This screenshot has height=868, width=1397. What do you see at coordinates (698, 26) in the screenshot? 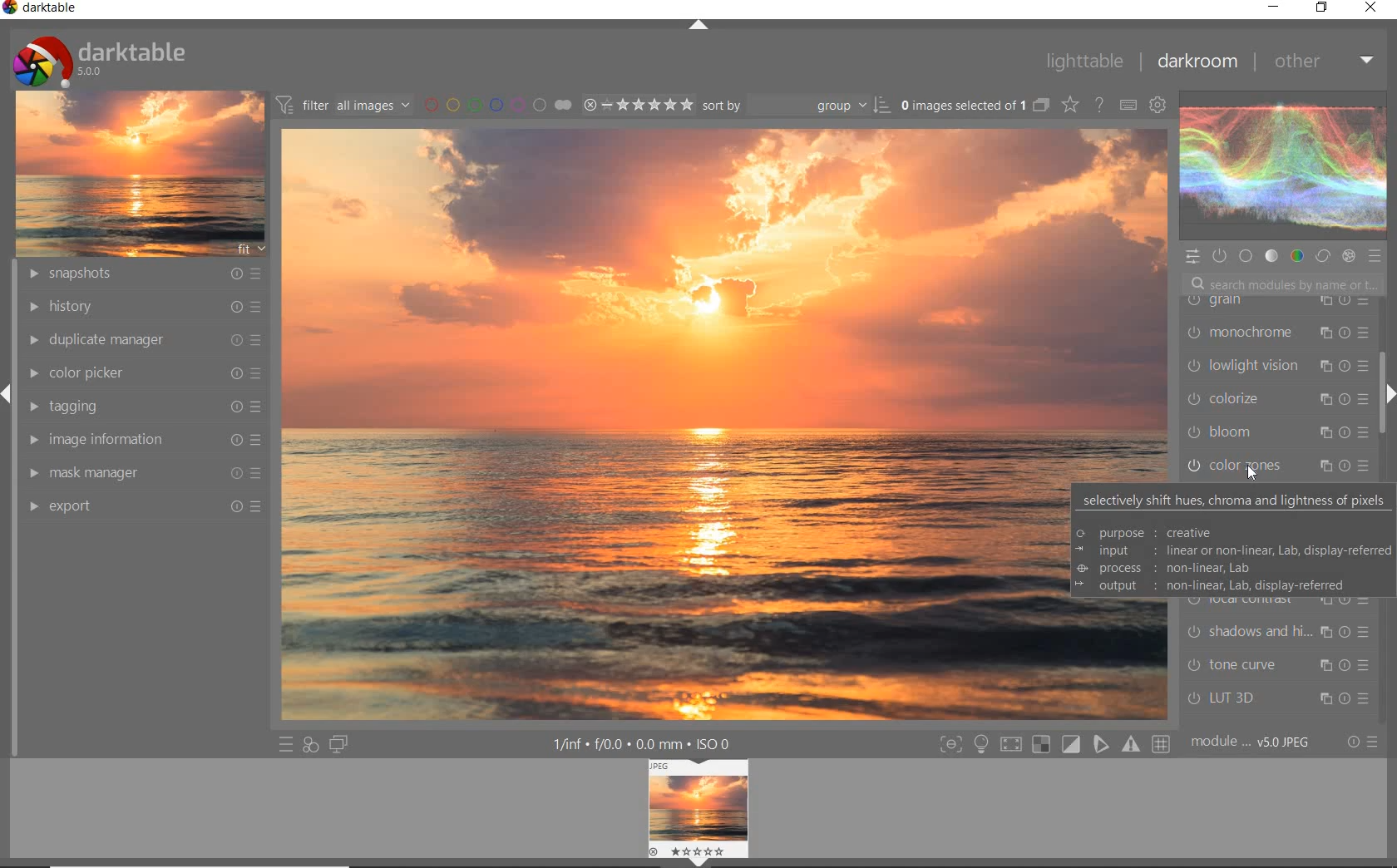
I see `EXPAND/COLLAPSE` at bounding box center [698, 26].